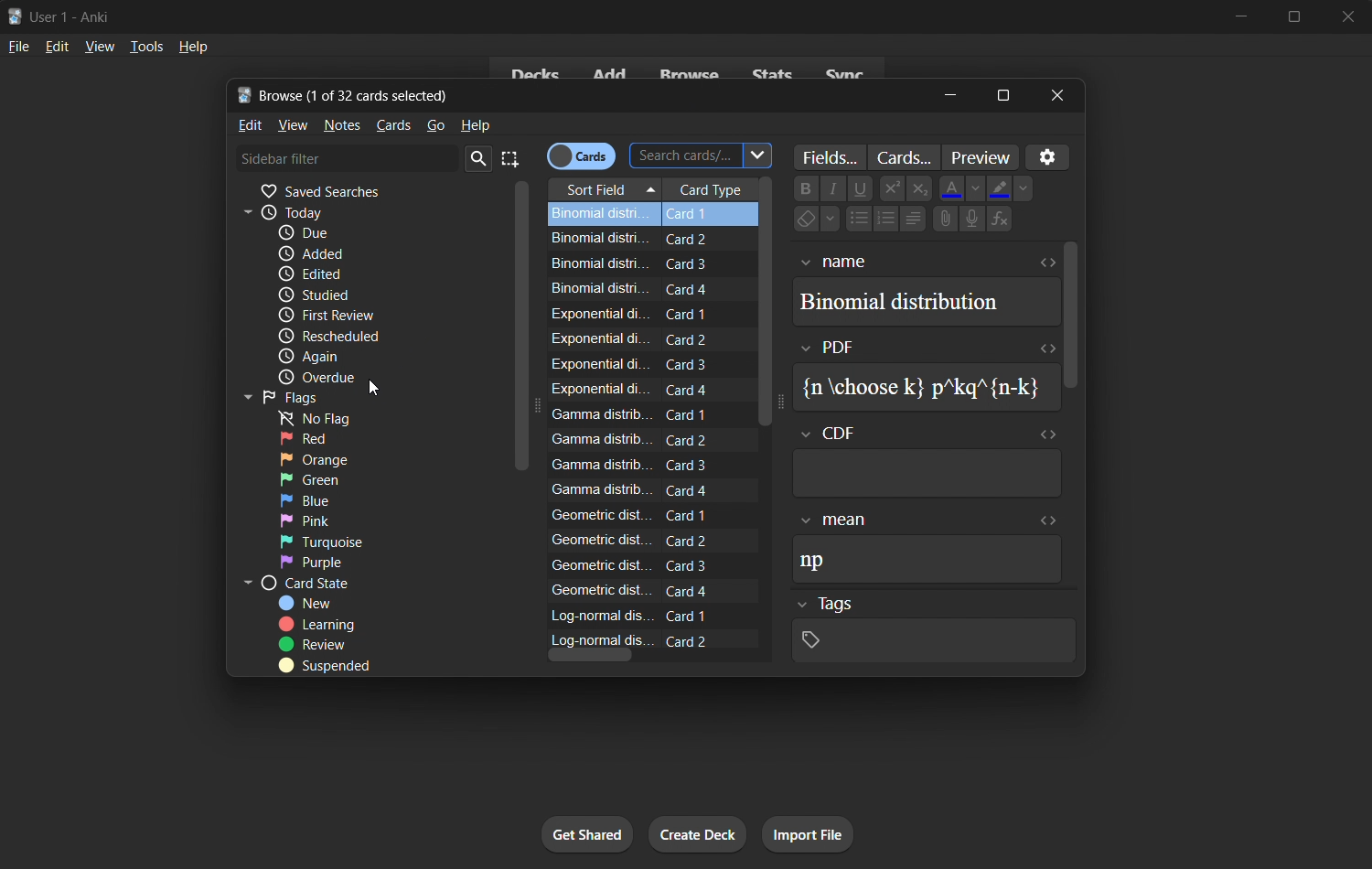 The image size is (1372, 869). I want to click on stats, so click(775, 72).